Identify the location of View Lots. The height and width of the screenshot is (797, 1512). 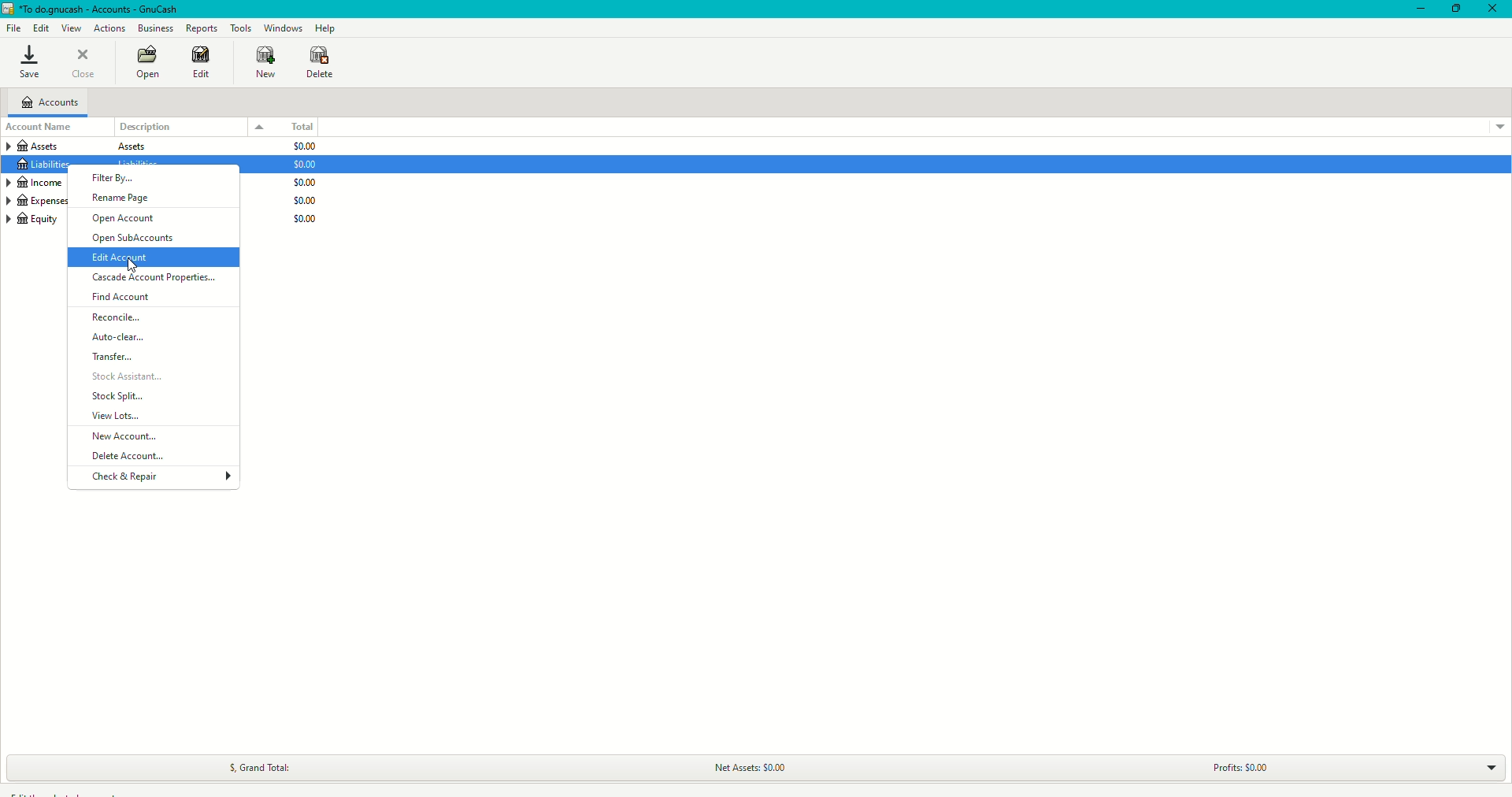
(114, 417).